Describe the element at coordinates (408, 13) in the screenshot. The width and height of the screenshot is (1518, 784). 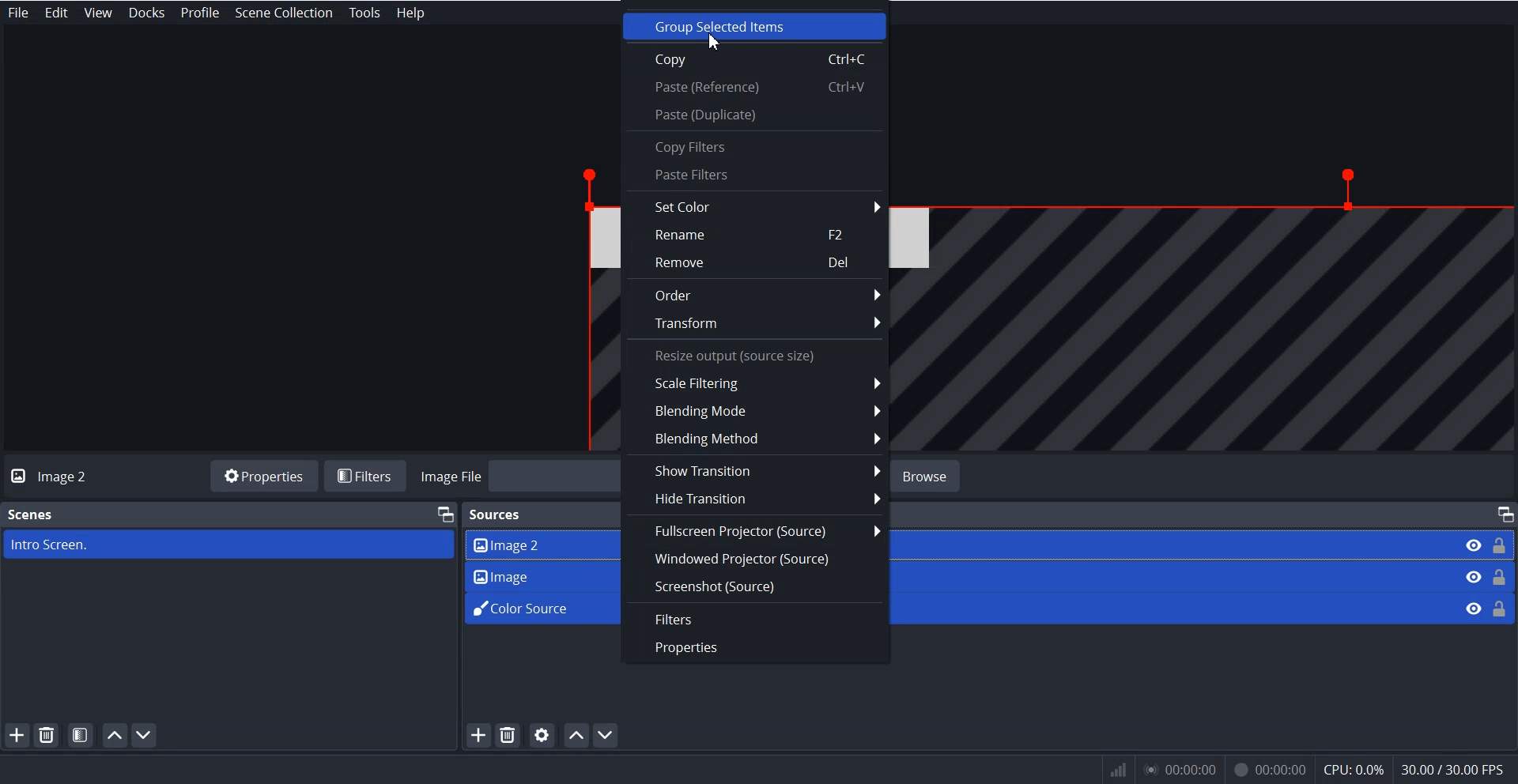
I see `Help` at that location.